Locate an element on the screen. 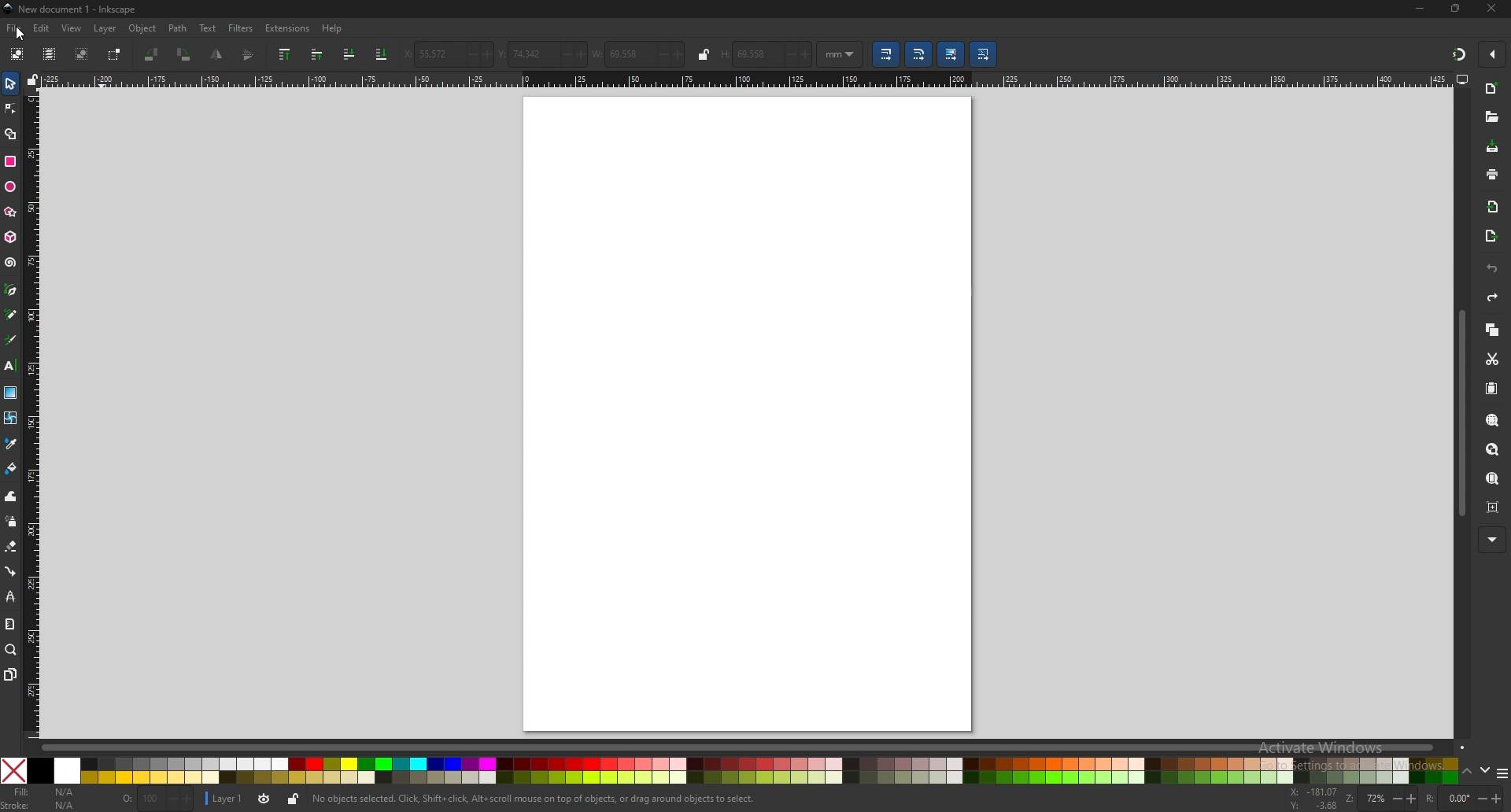  + is located at coordinates (486, 55).